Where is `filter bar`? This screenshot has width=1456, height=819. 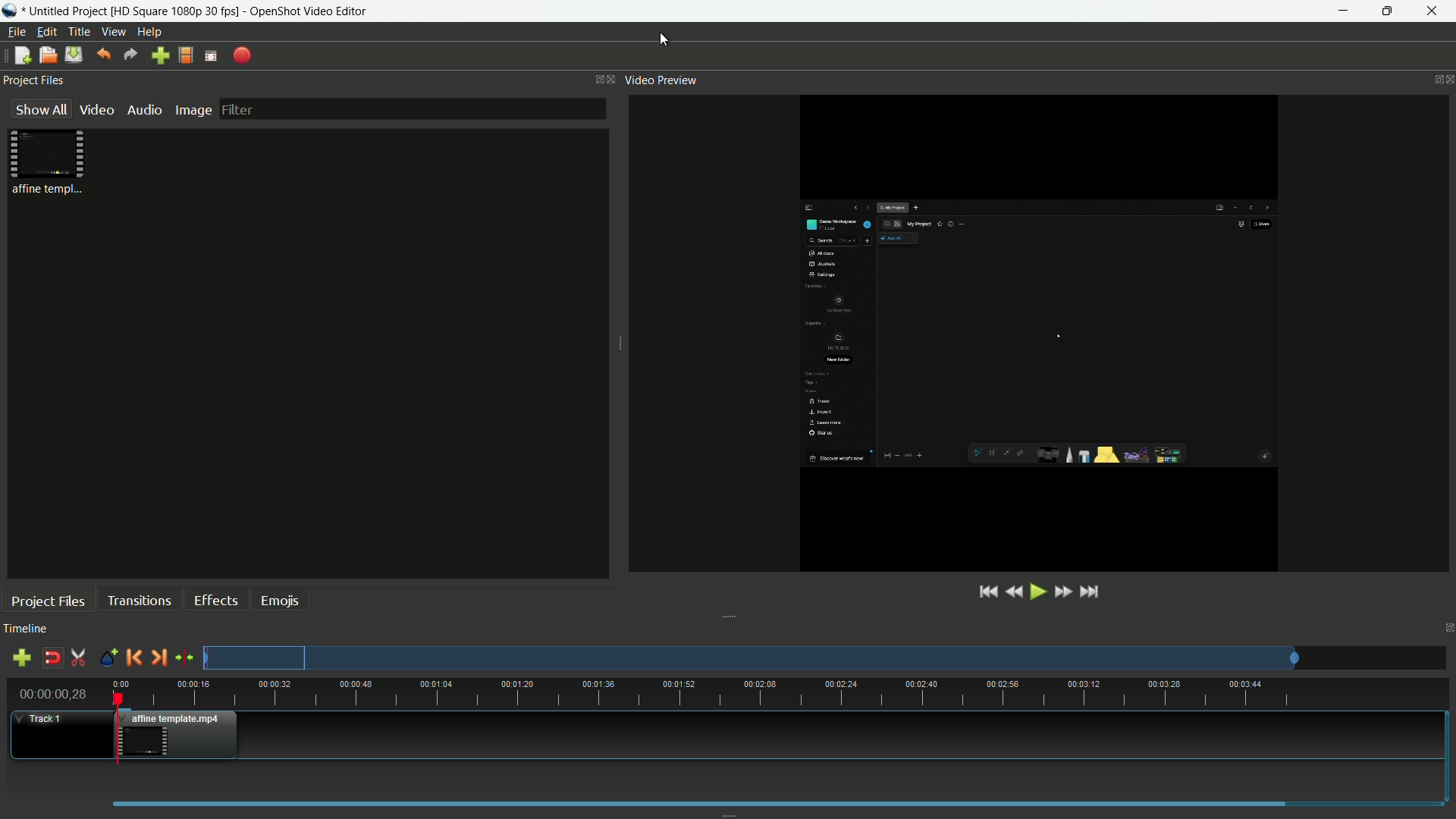
filter bar is located at coordinates (412, 108).